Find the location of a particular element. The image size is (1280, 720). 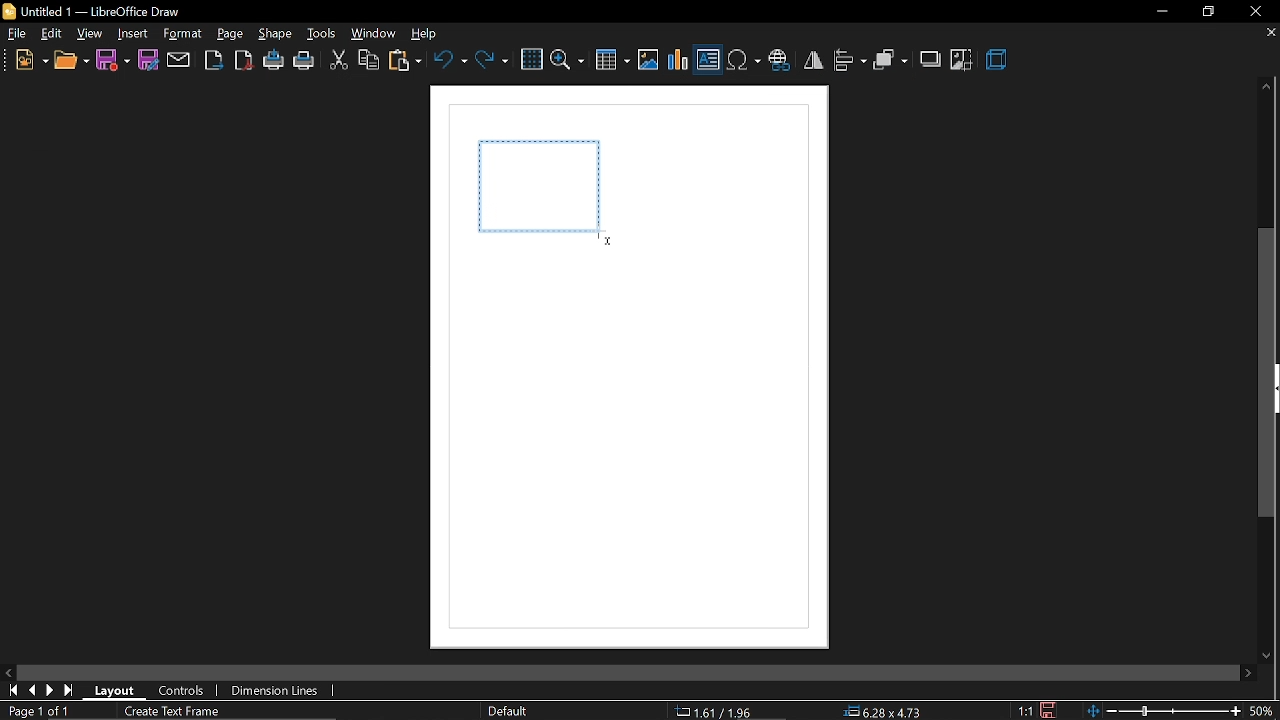

flip is located at coordinates (813, 60).